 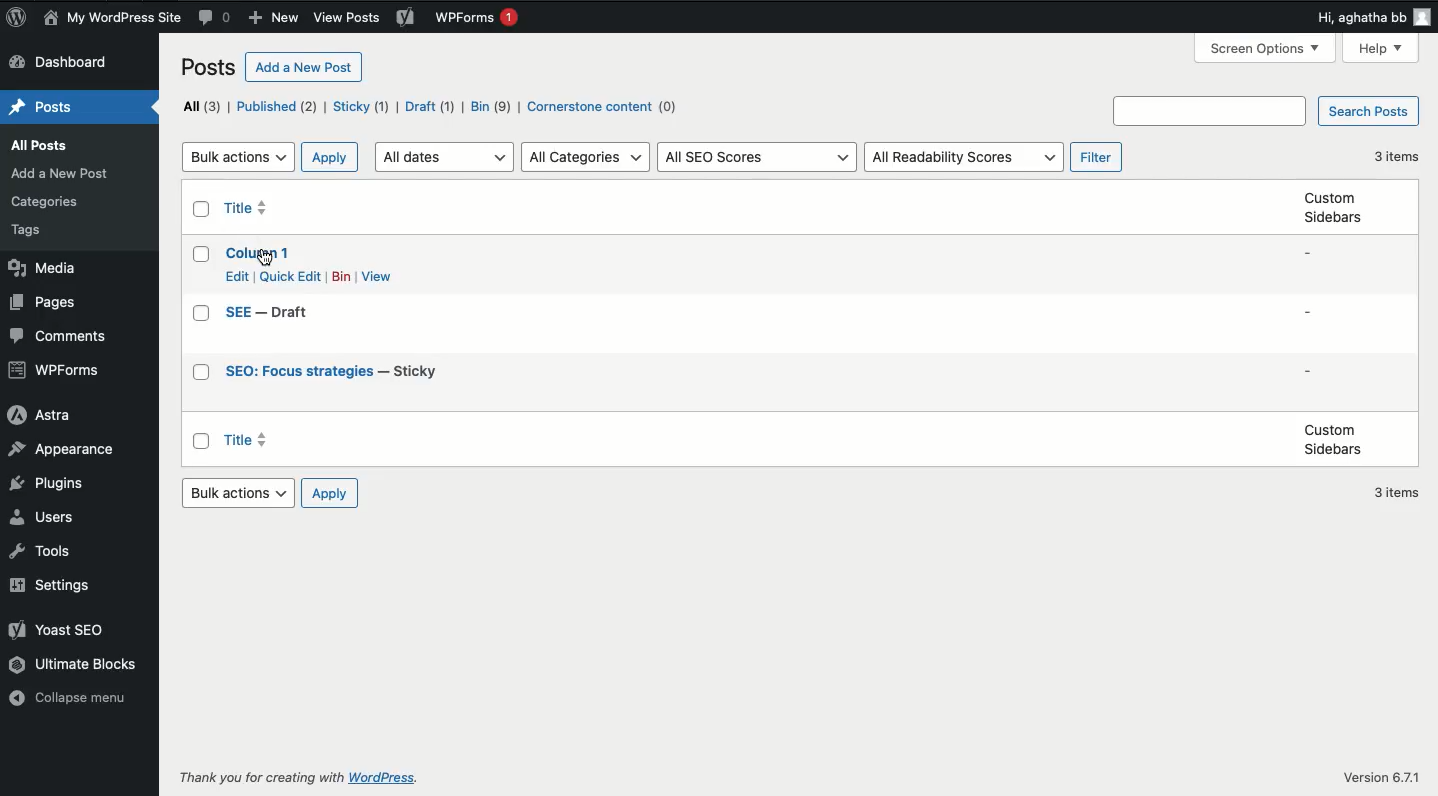 What do you see at coordinates (408, 18) in the screenshot?
I see `Yoast` at bounding box center [408, 18].